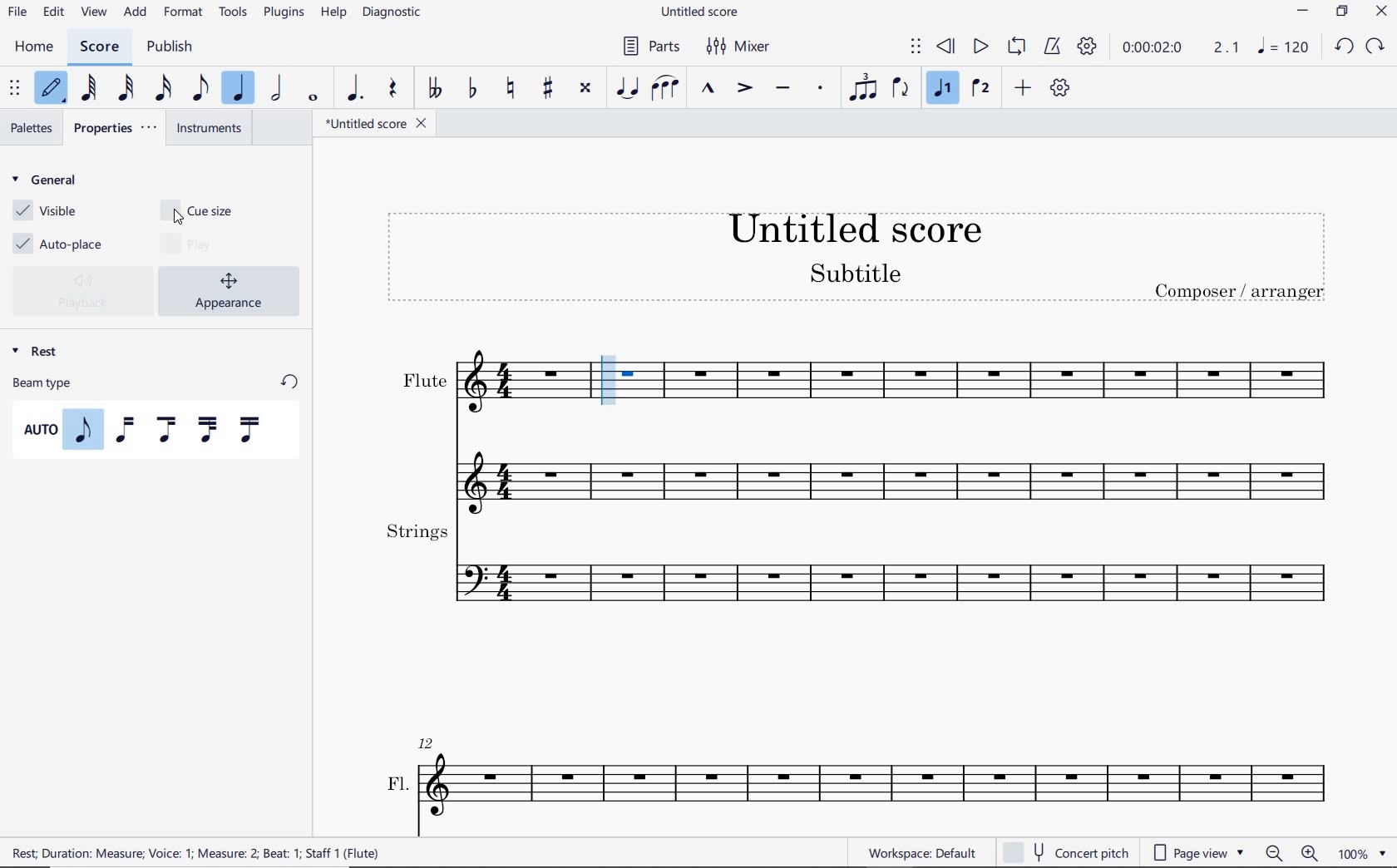 The image size is (1397, 868). I want to click on TOGGLE SHARP, so click(548, 86).